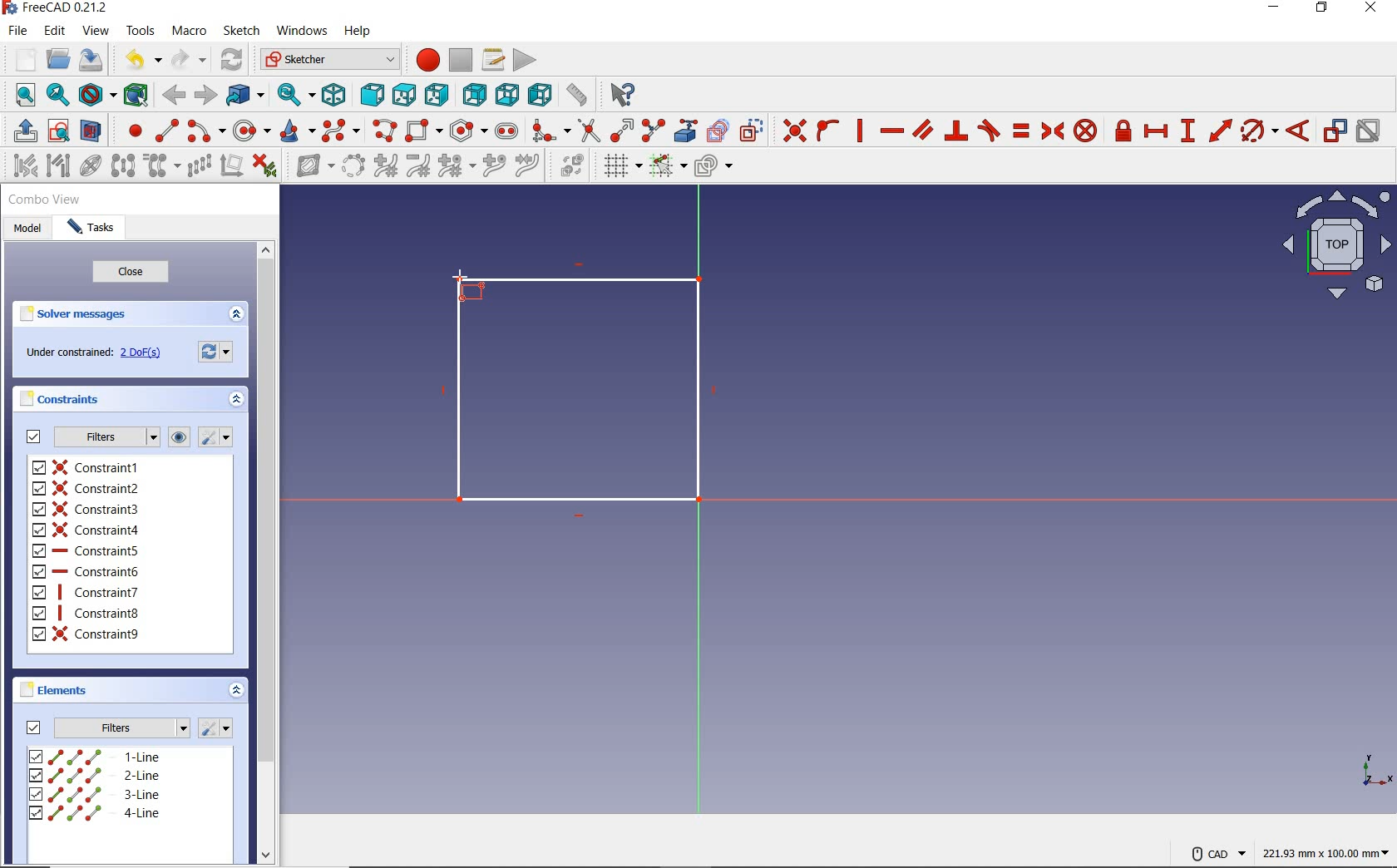 The height and width of the screenshot is (868, 1397). Describe the element at coordinates (329, 60) in the screenshot. I see `switch between workbenches` at that location.